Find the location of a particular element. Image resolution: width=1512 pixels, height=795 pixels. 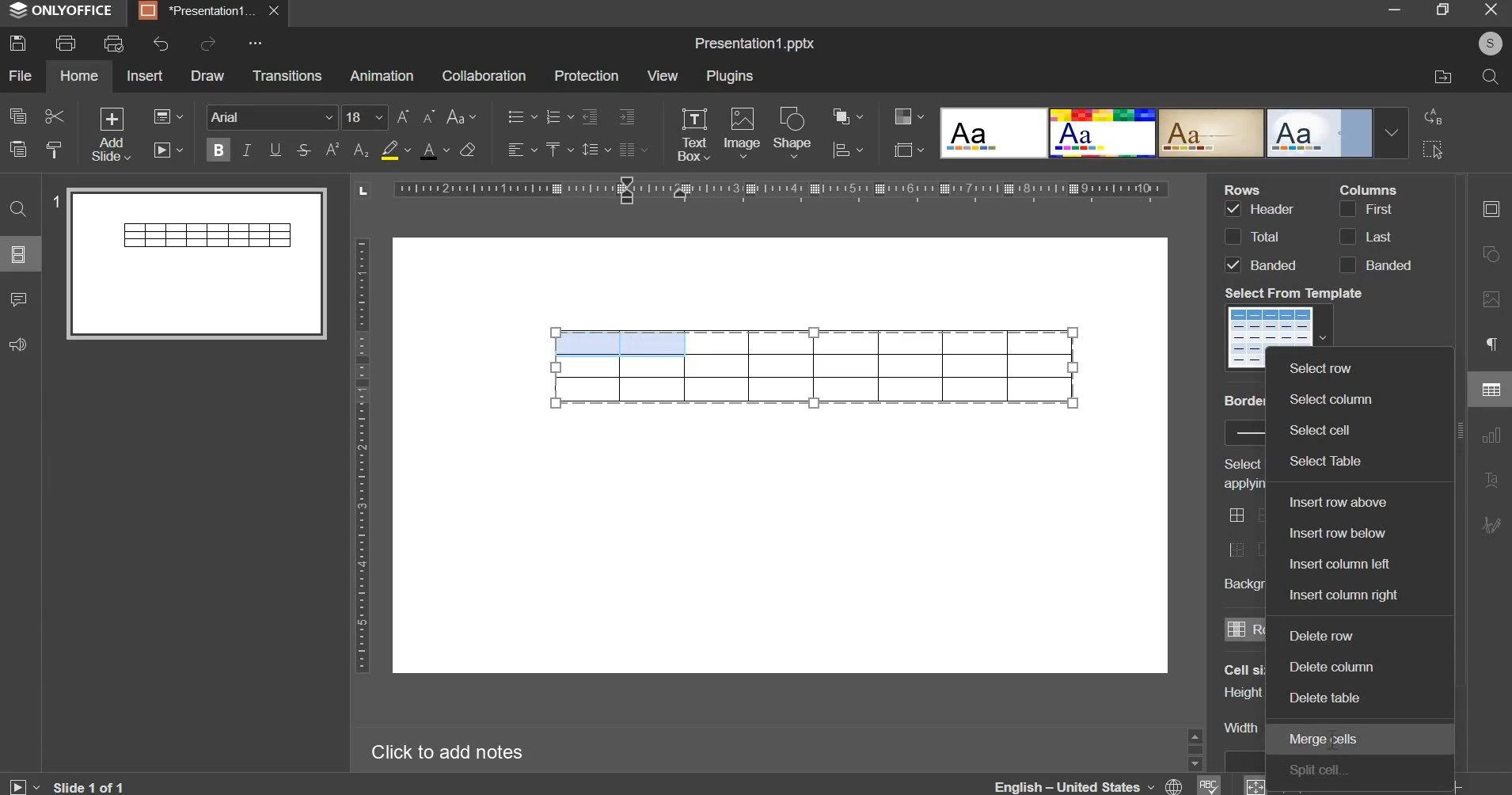

clear style is located at coordinates (467, 149).